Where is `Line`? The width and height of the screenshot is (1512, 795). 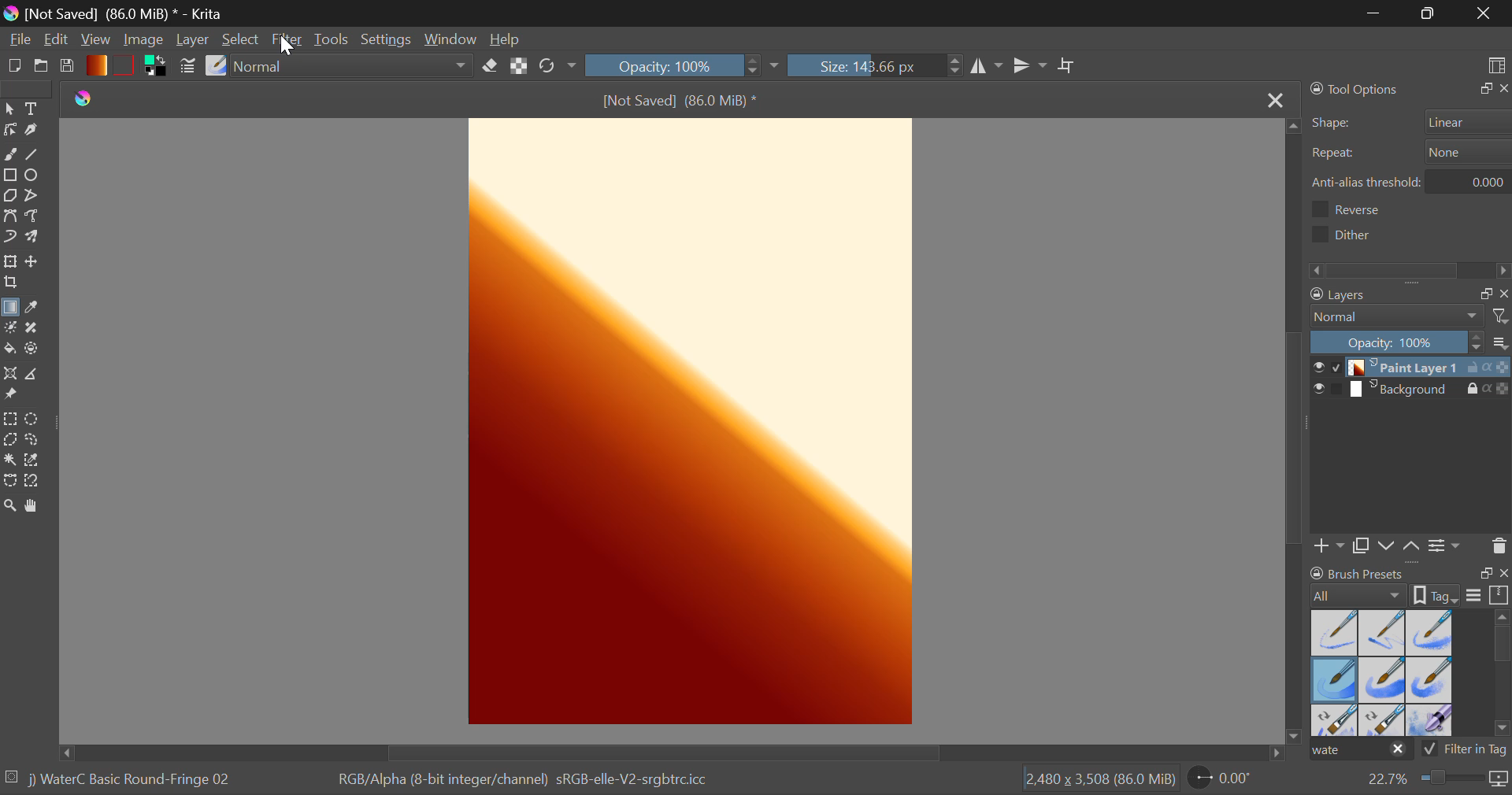
Line is located at coordinates (37, 153).